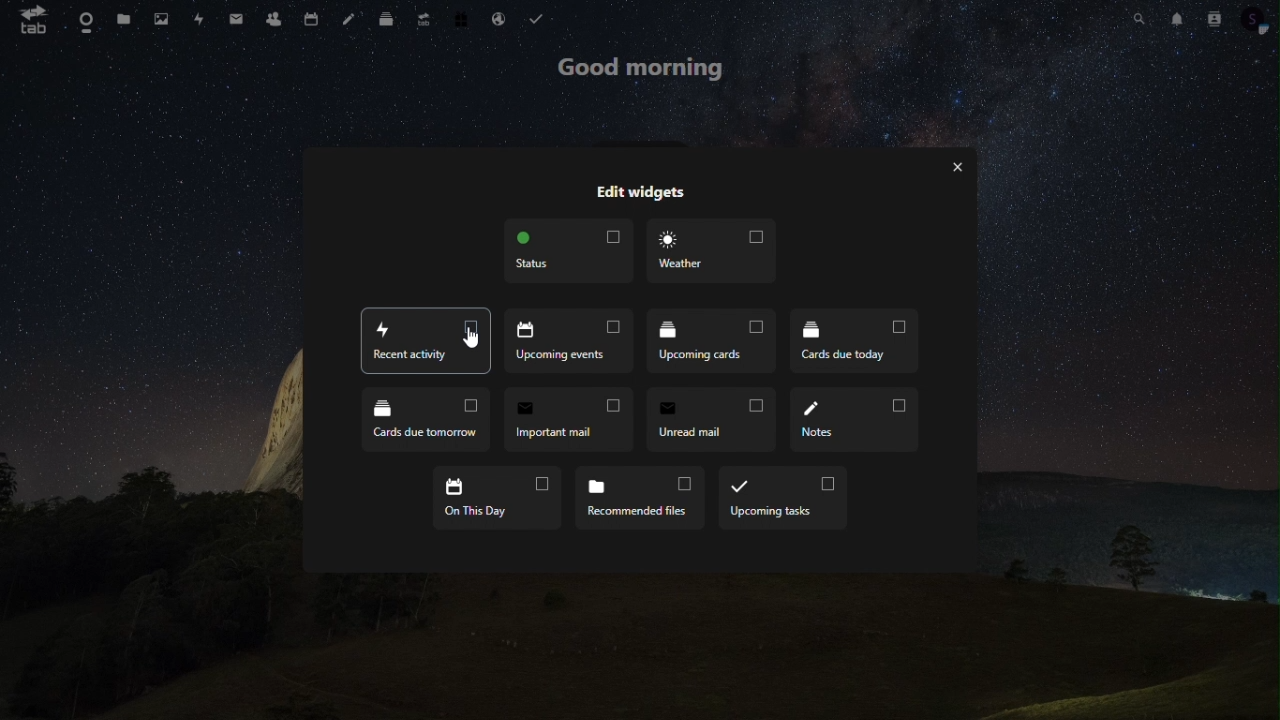 This screenshot has width=1280, height=720. Describe the element at coordinates (423, 20) in the screenshot. I see `upgrade` at that location.